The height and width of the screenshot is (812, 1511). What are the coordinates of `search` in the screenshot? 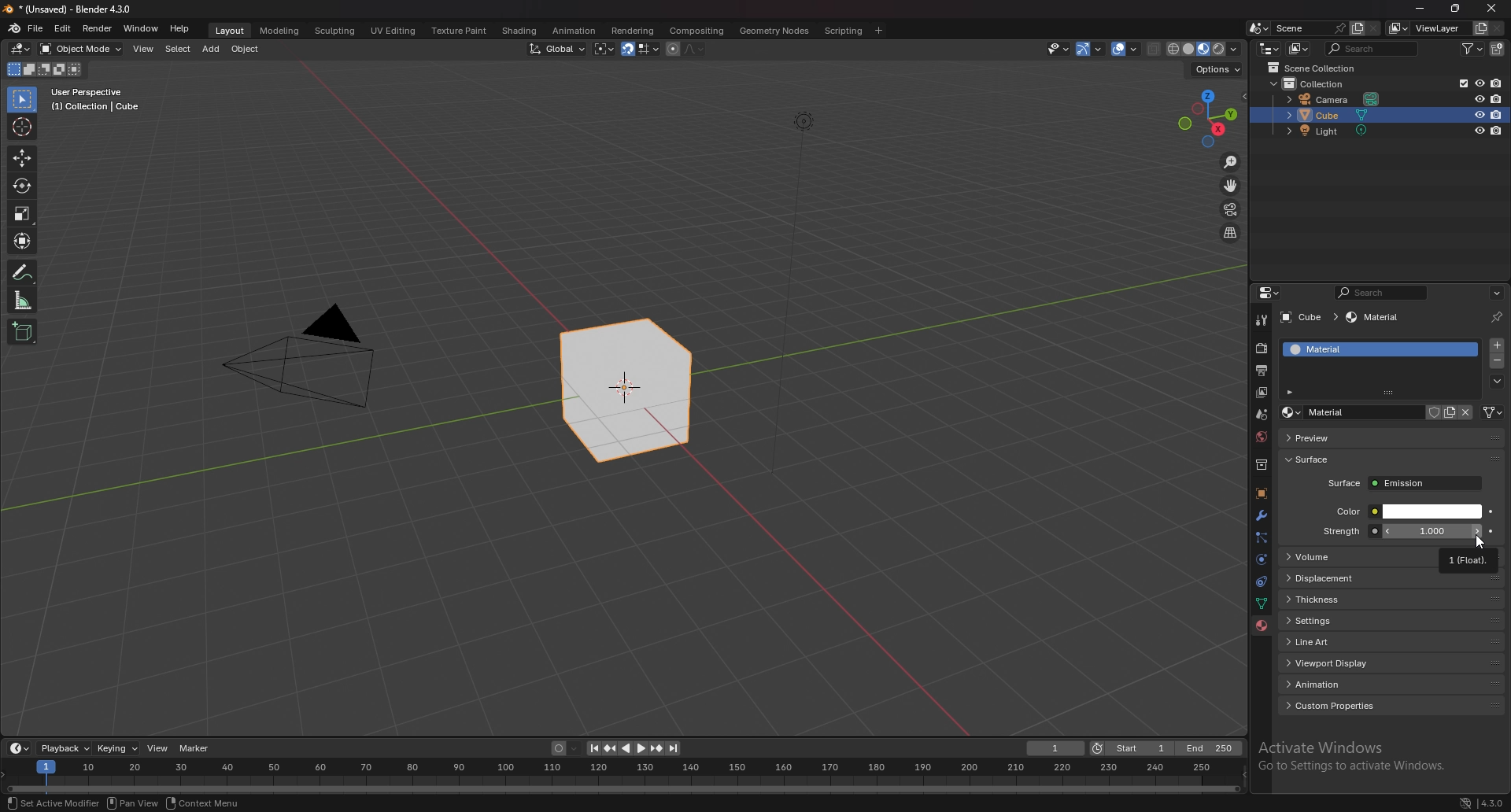 It's located at (1375, 48).